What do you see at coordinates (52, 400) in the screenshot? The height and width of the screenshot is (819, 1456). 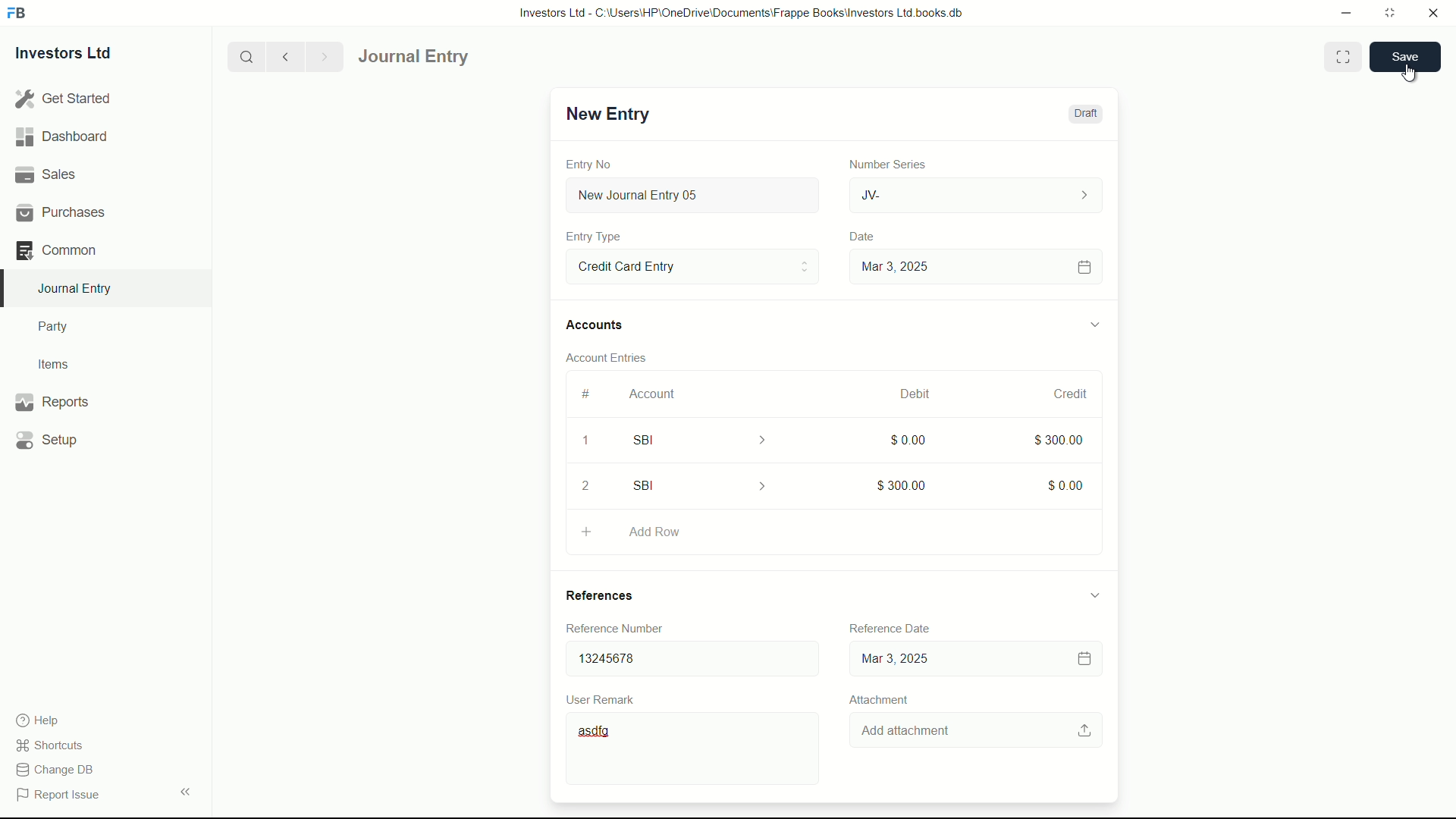 I see `Reports .` at bounding box center [52, 400].